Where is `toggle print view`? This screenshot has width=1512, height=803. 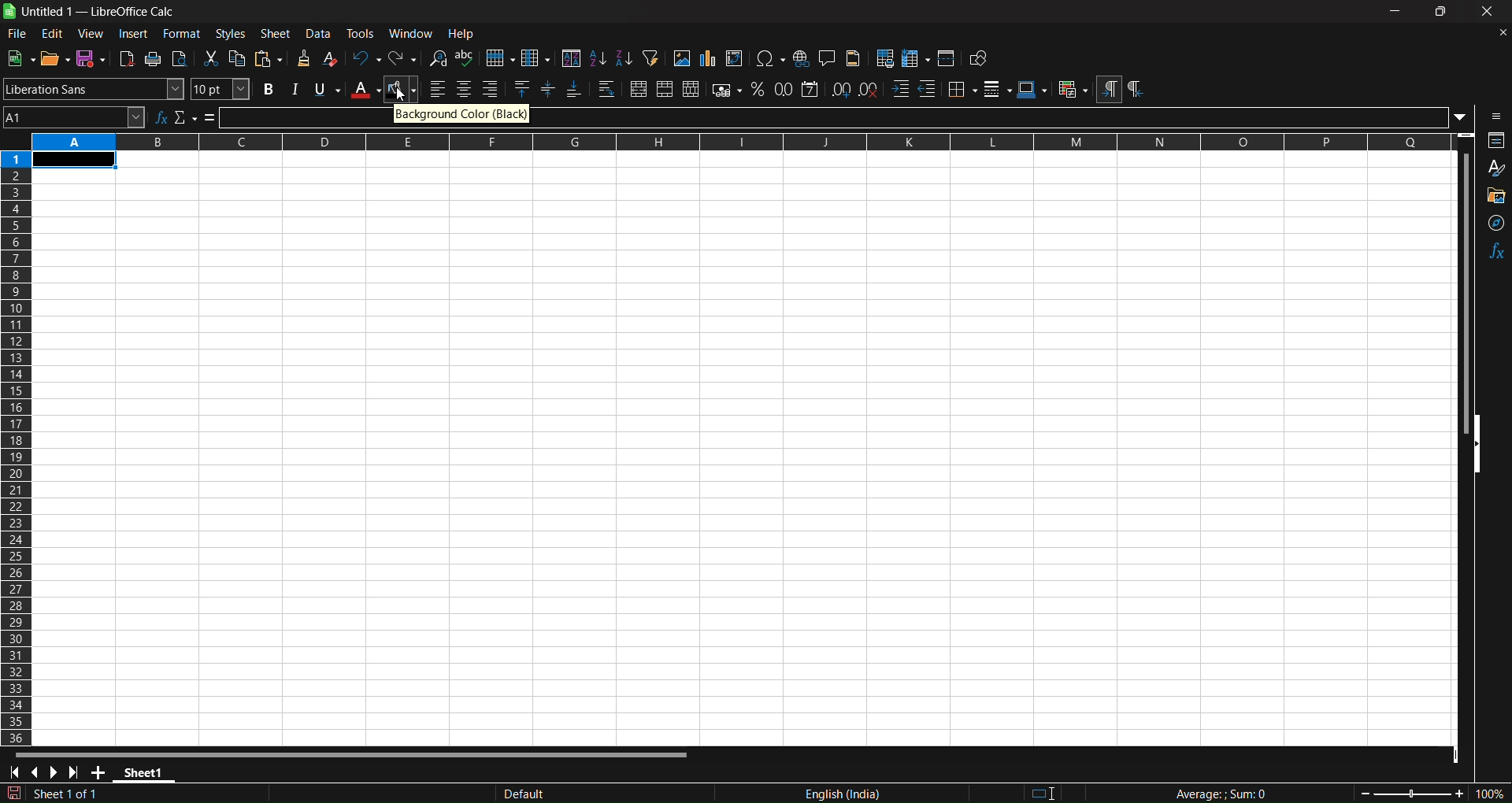 toggle print view is located at coordinates (181, 57).